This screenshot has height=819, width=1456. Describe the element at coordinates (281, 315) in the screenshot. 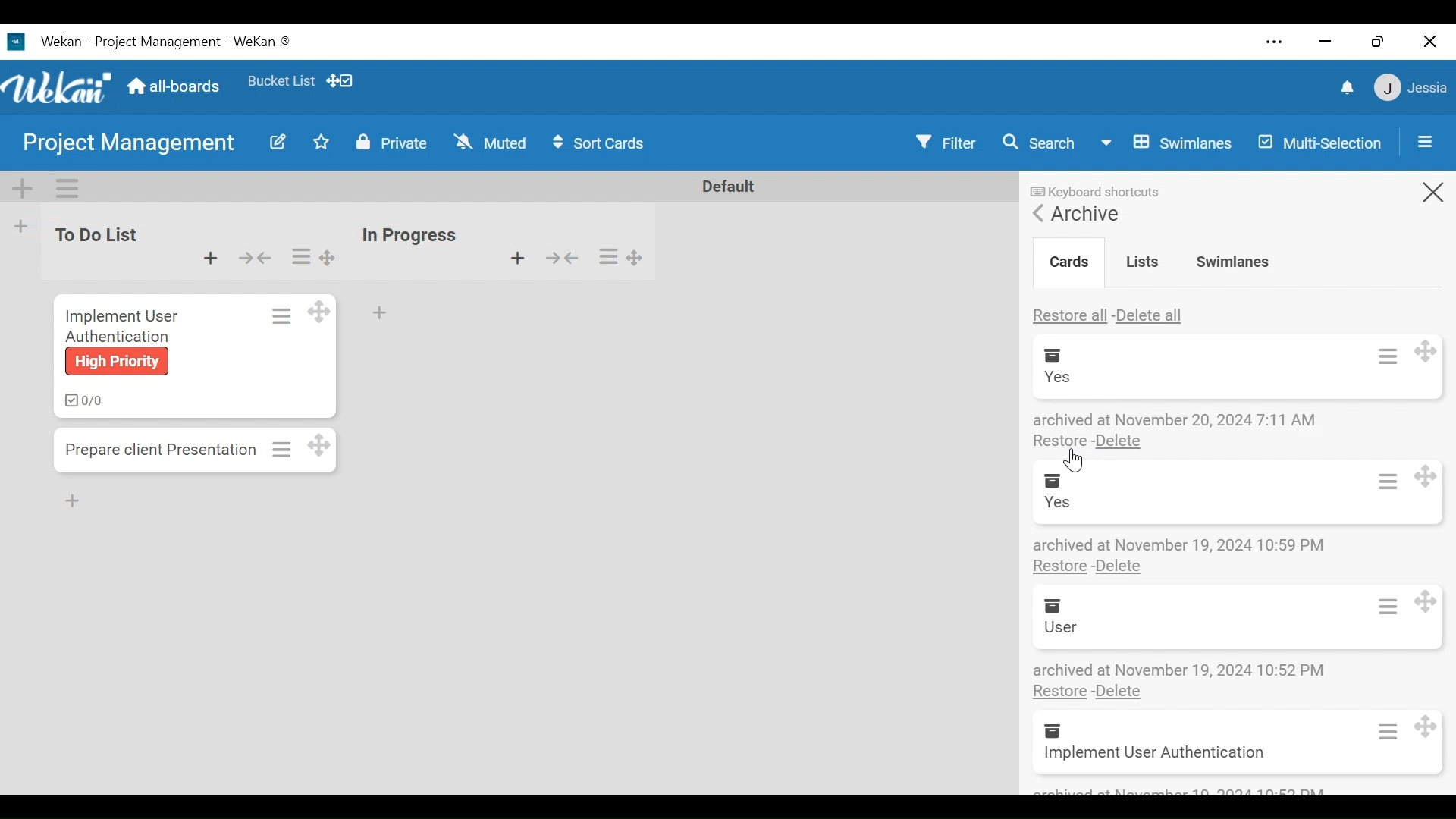

I see `Card actions` at that location.